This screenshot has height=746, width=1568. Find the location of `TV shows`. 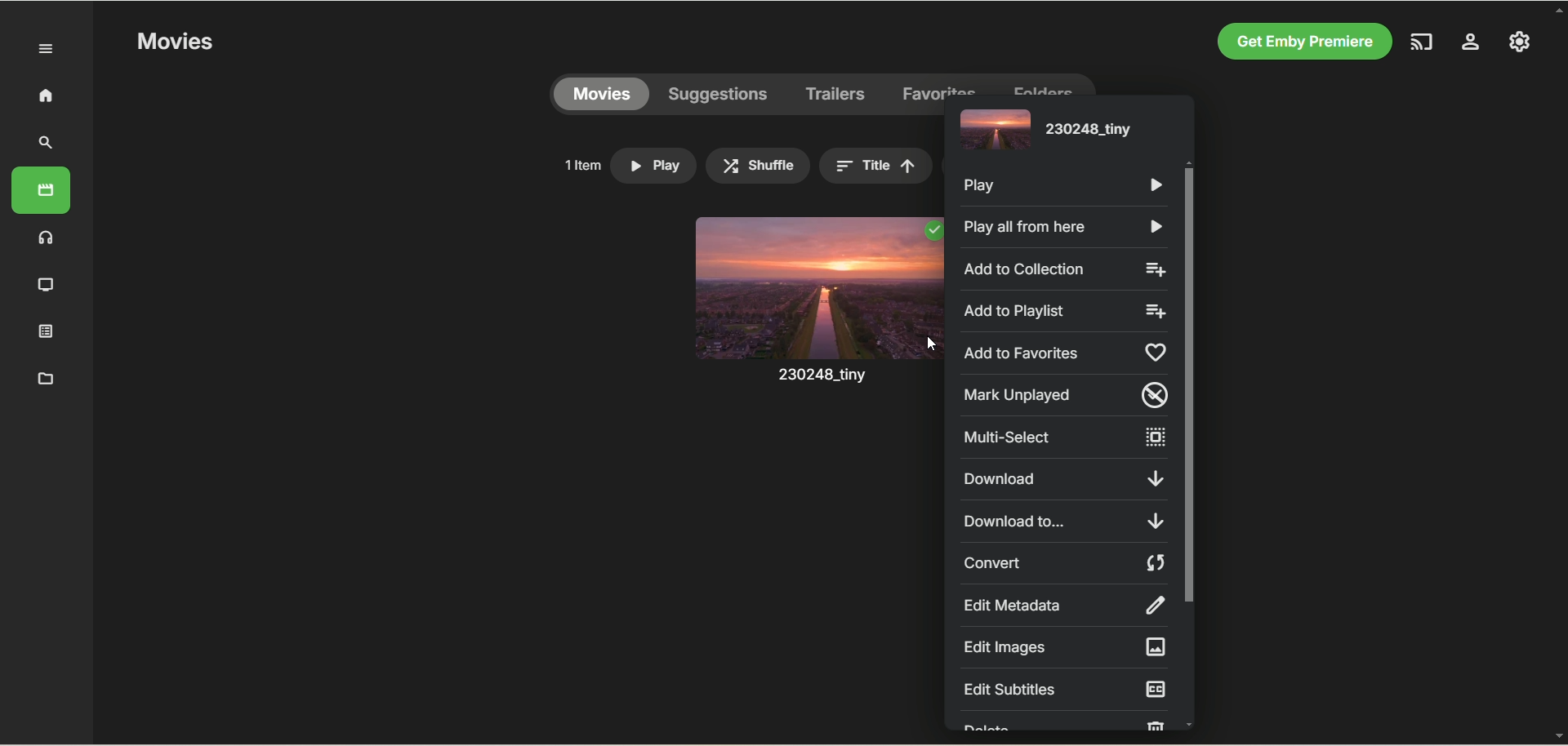

TV shows is located at coordinates (47, 286).